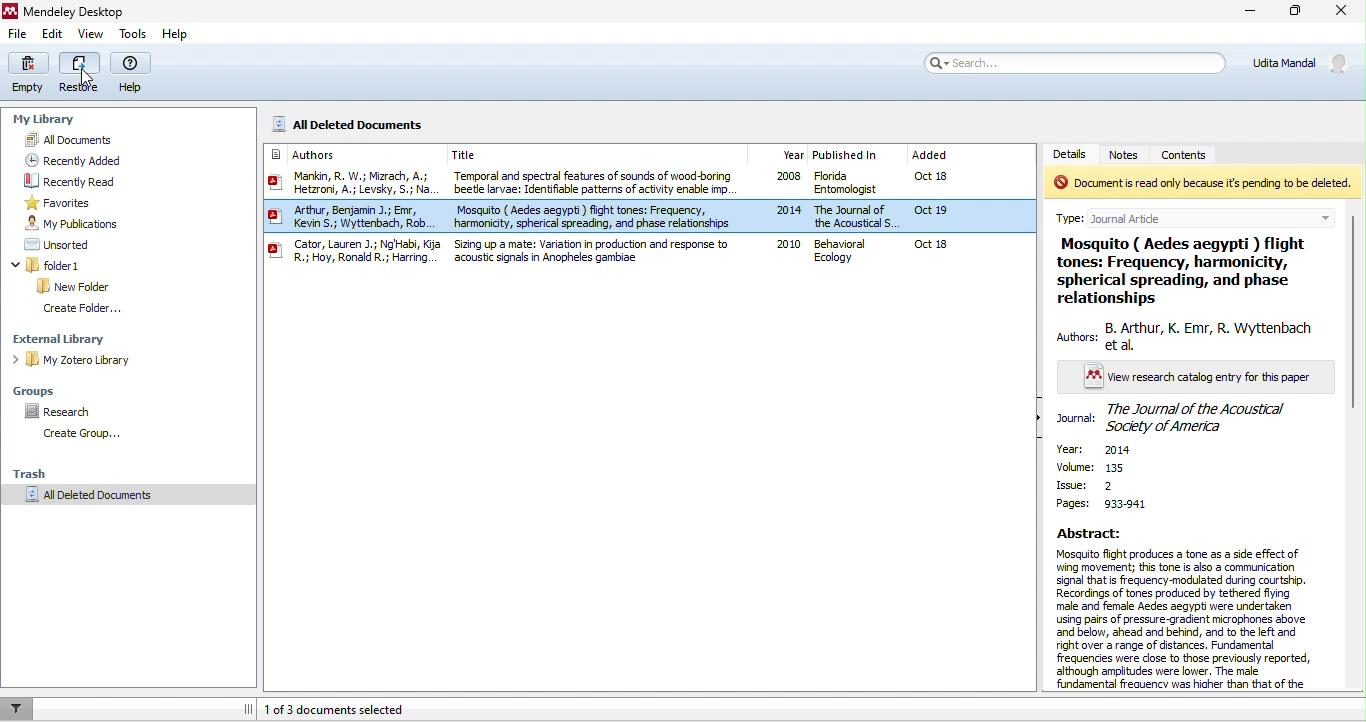  Describe the element at coordinates (85, 309) in the screenshot. I see `create folder` at that location.